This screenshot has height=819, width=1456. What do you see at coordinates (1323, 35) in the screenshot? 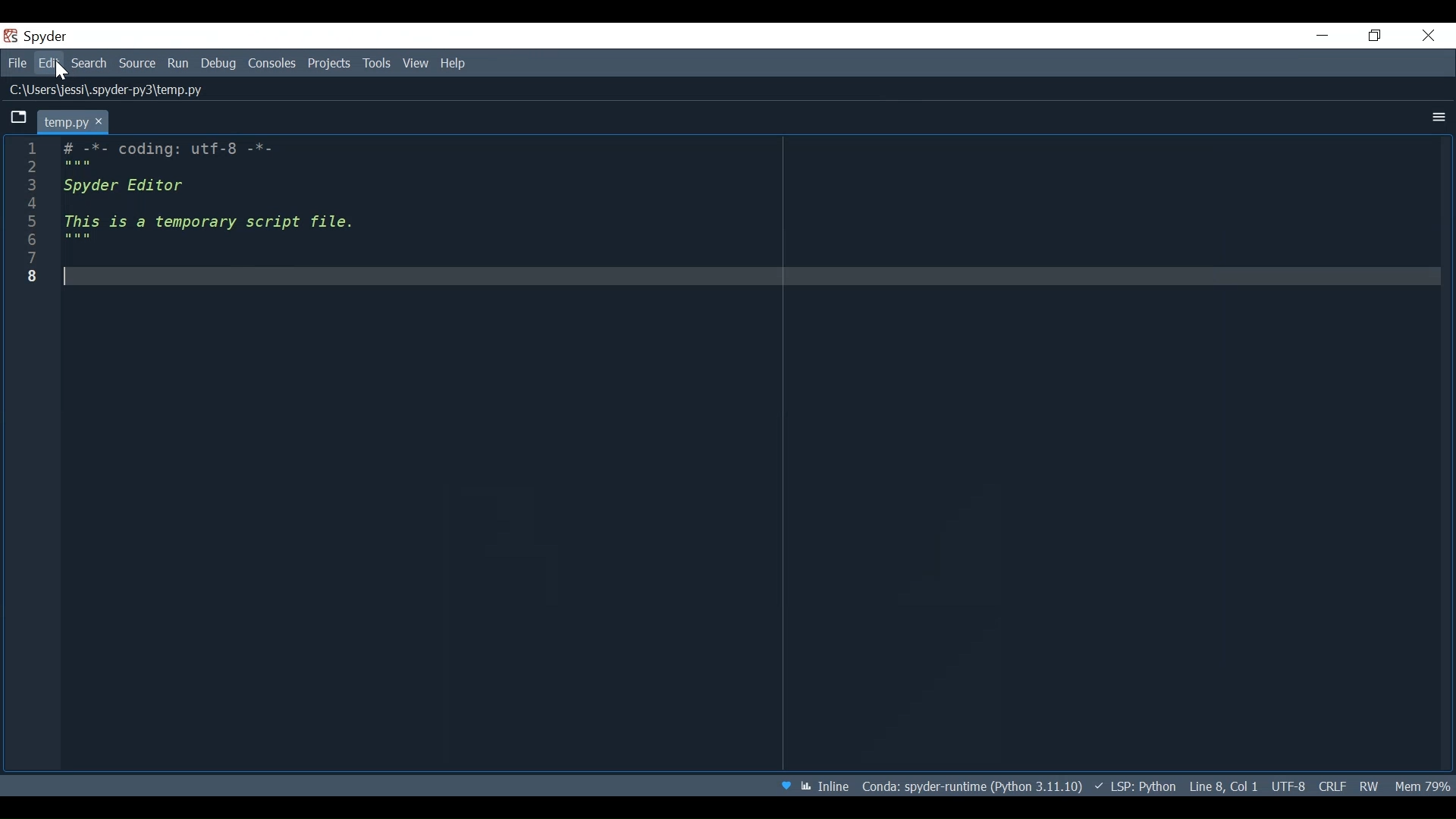
I see `Minimize` at bounding box center [1323, 35].